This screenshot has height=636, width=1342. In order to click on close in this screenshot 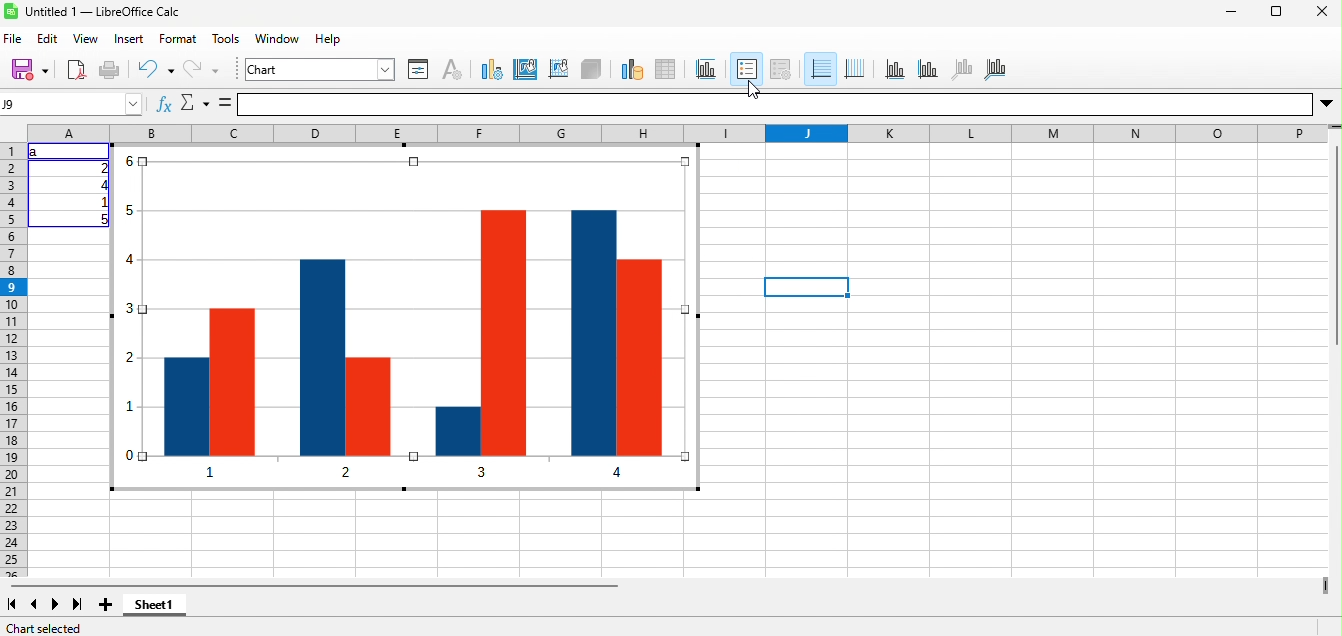, I will do `click(1322, 11)`.